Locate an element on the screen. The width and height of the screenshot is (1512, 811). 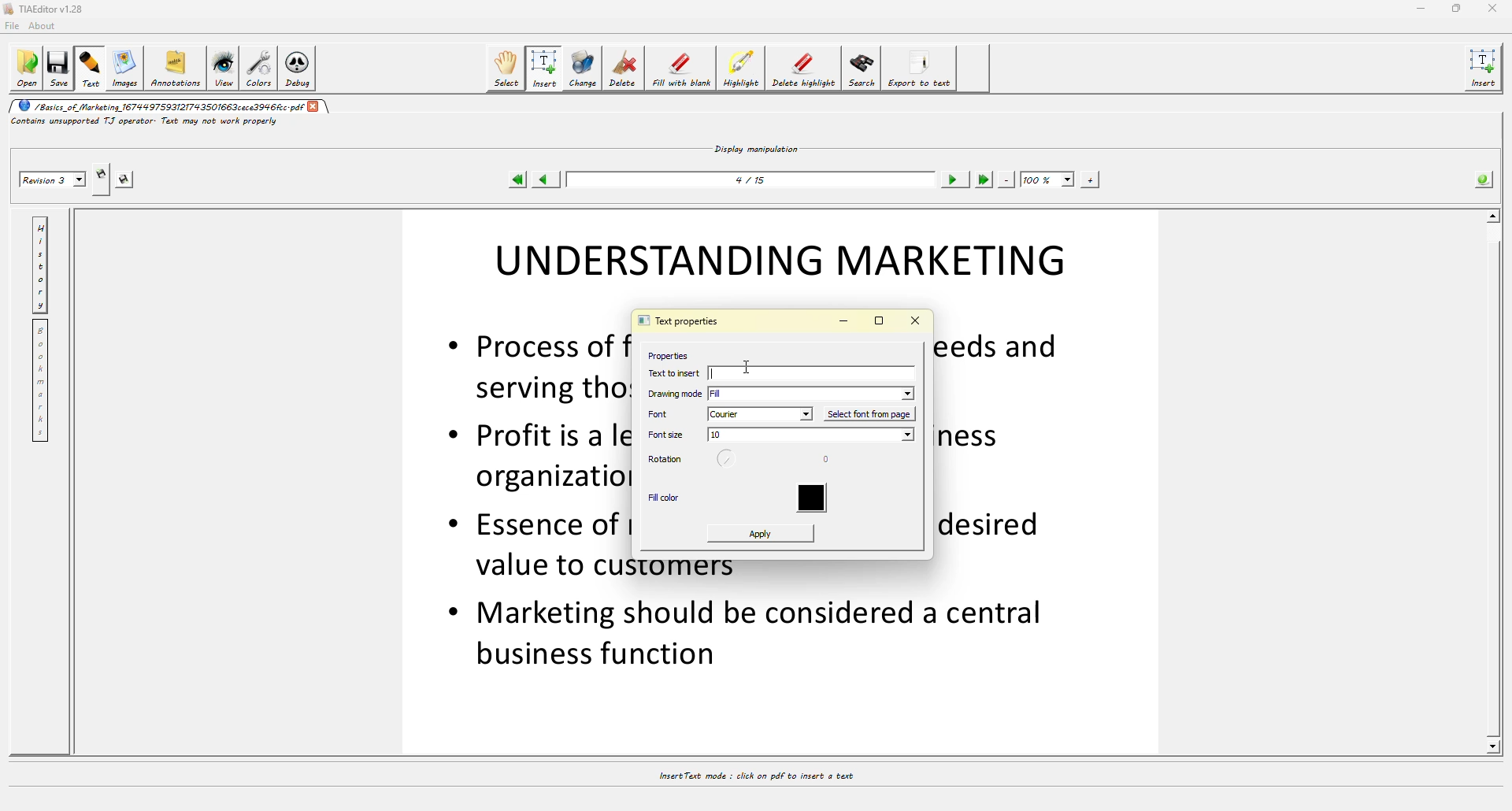
rotation is located at coordinates (665, 460).